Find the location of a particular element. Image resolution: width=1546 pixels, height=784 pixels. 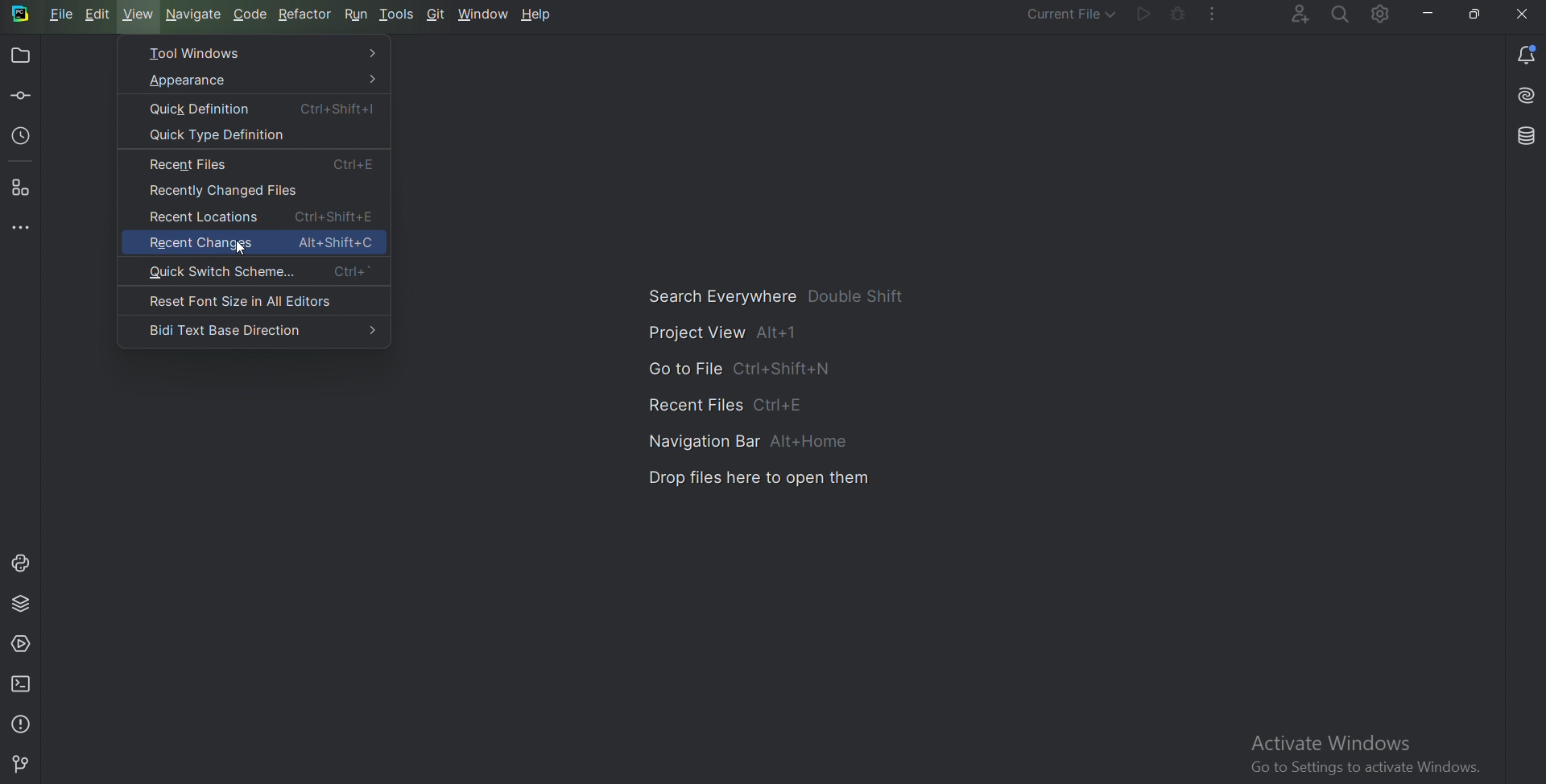

minimize is located at coordinates (1429, 14).